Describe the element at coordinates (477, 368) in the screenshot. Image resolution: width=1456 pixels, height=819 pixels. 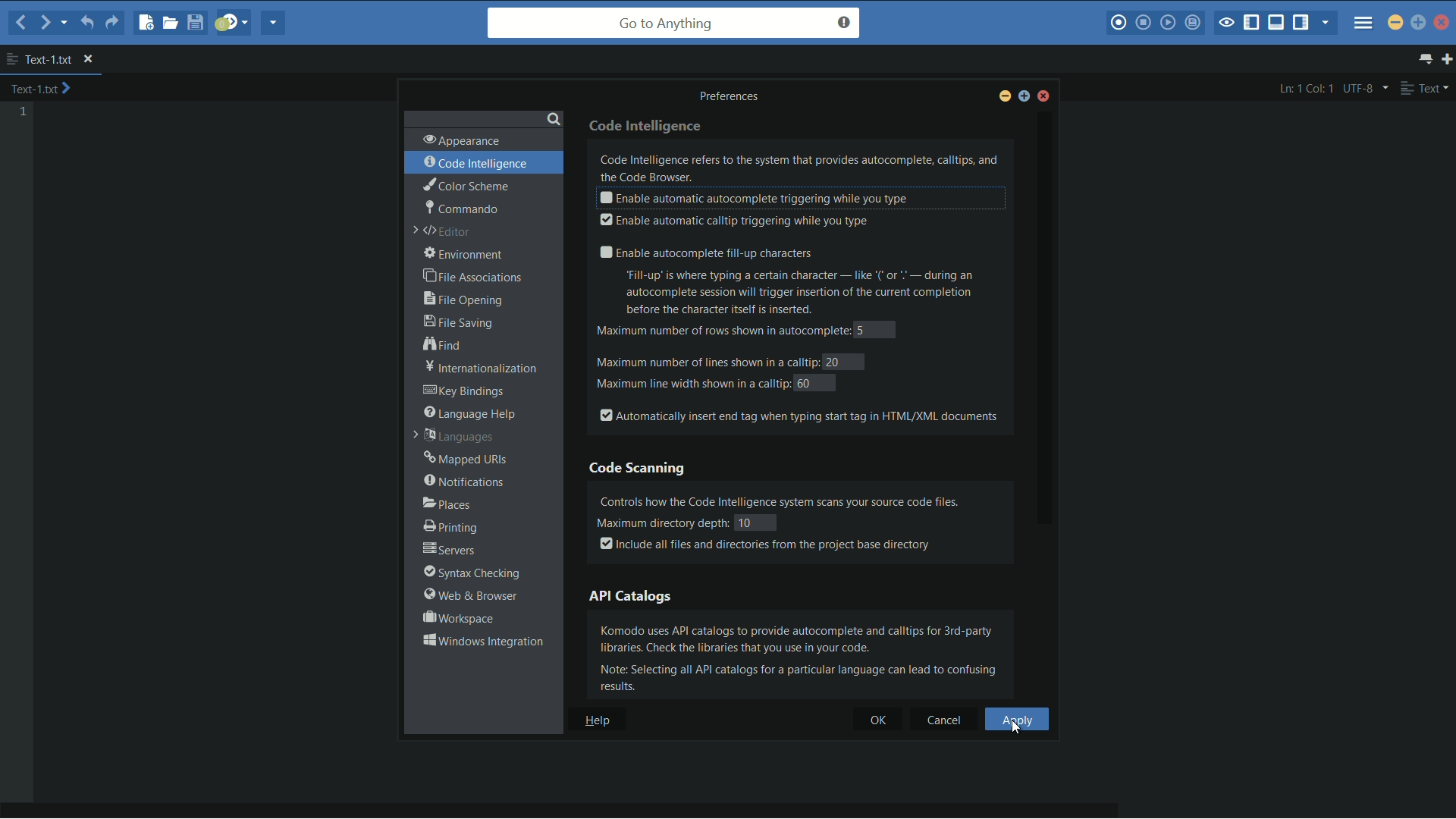
I see `internationalization` at that location.